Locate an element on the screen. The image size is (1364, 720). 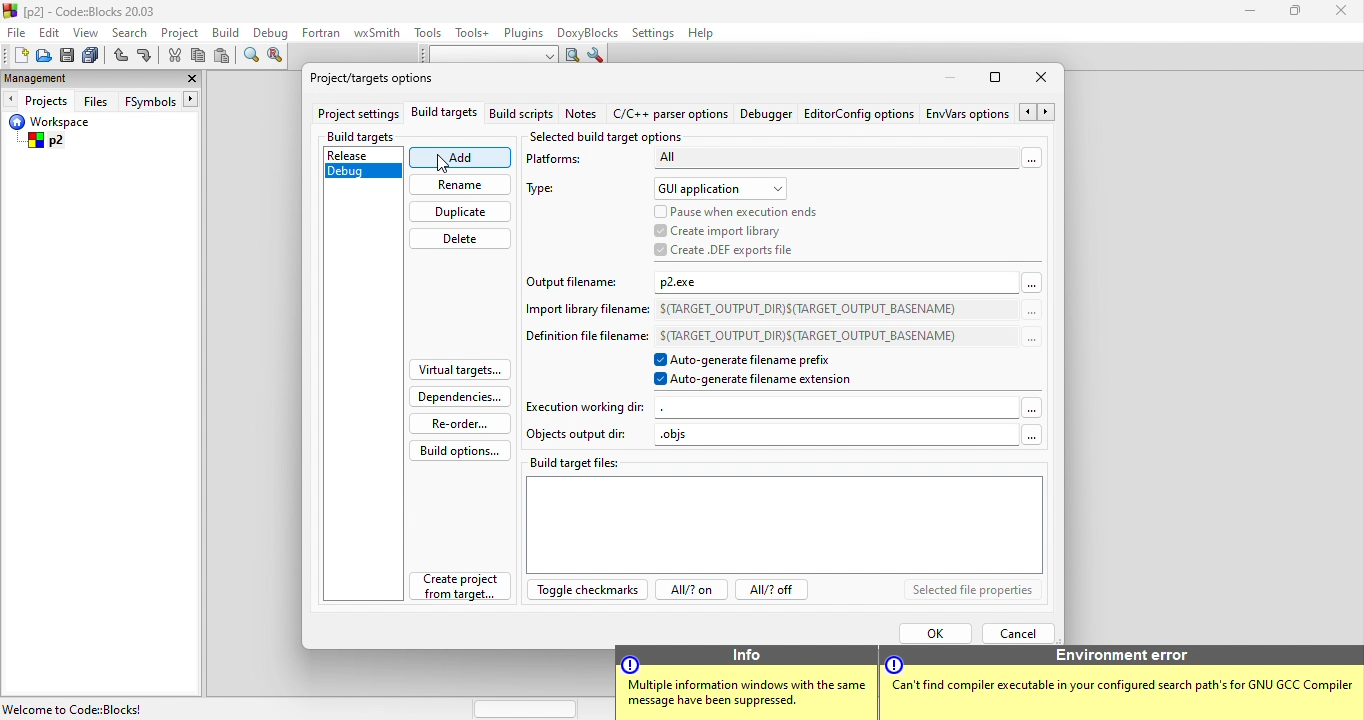
pause when execution ends is located at coordinates (736, 211).